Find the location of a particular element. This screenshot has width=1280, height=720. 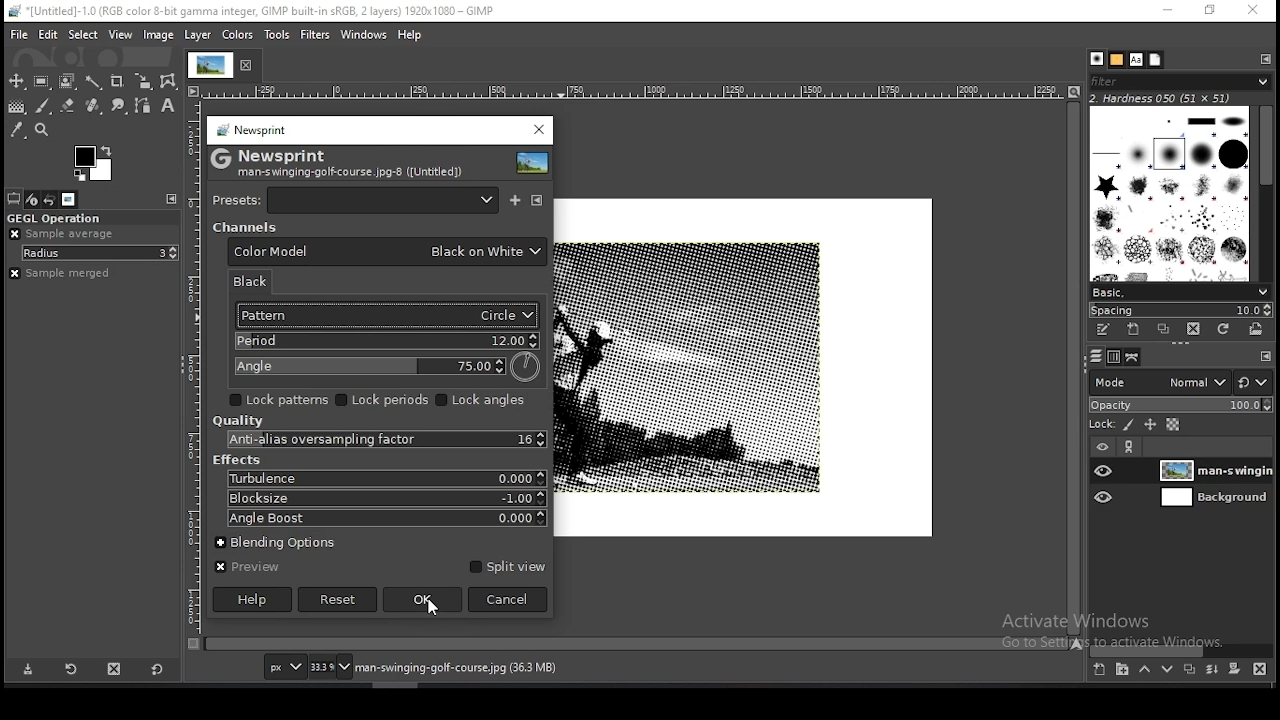

paintbrush tool is located at coordinates (43, 106).